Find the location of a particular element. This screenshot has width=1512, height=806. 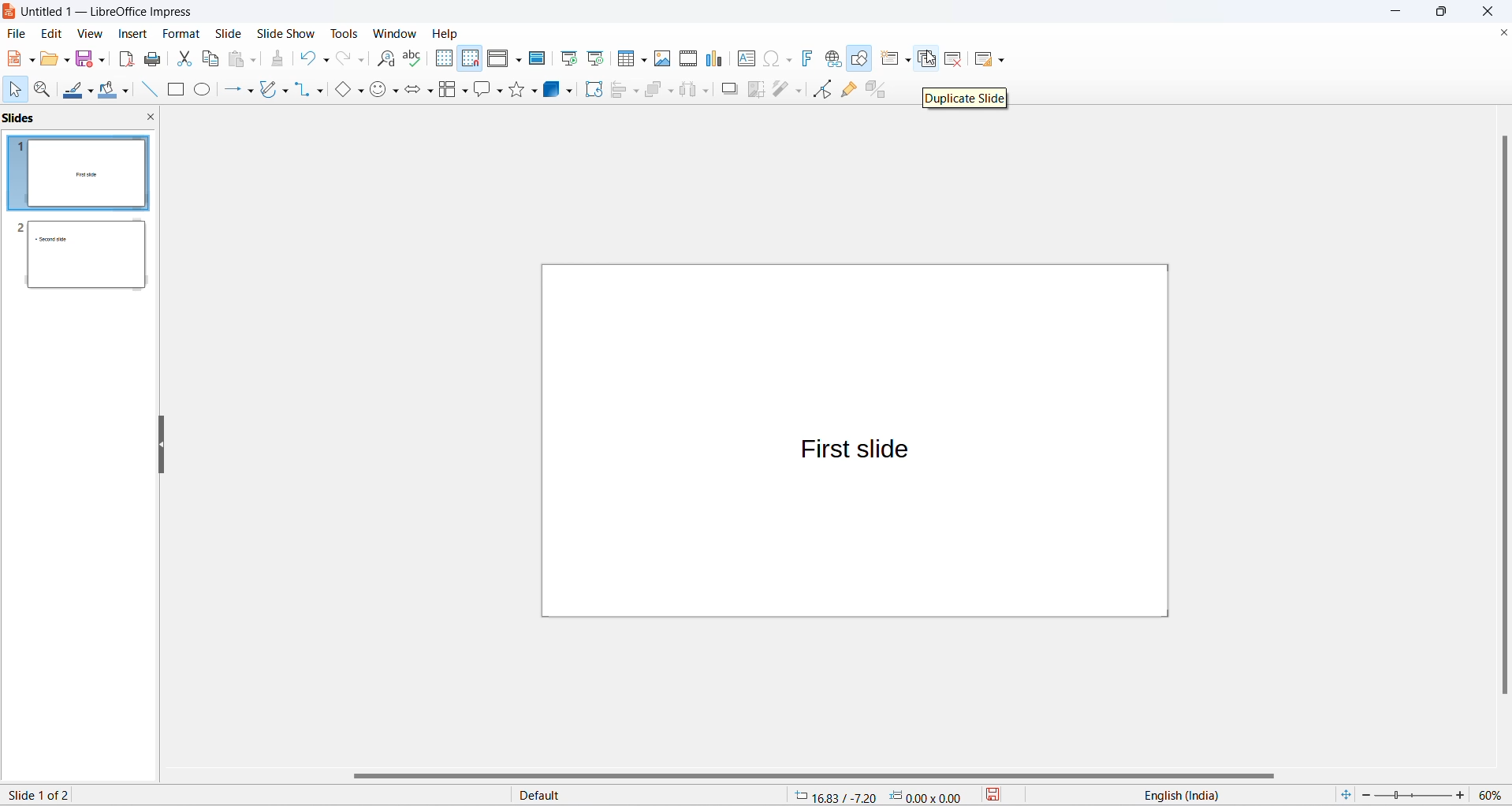

save is located at coordinates (991, 797).